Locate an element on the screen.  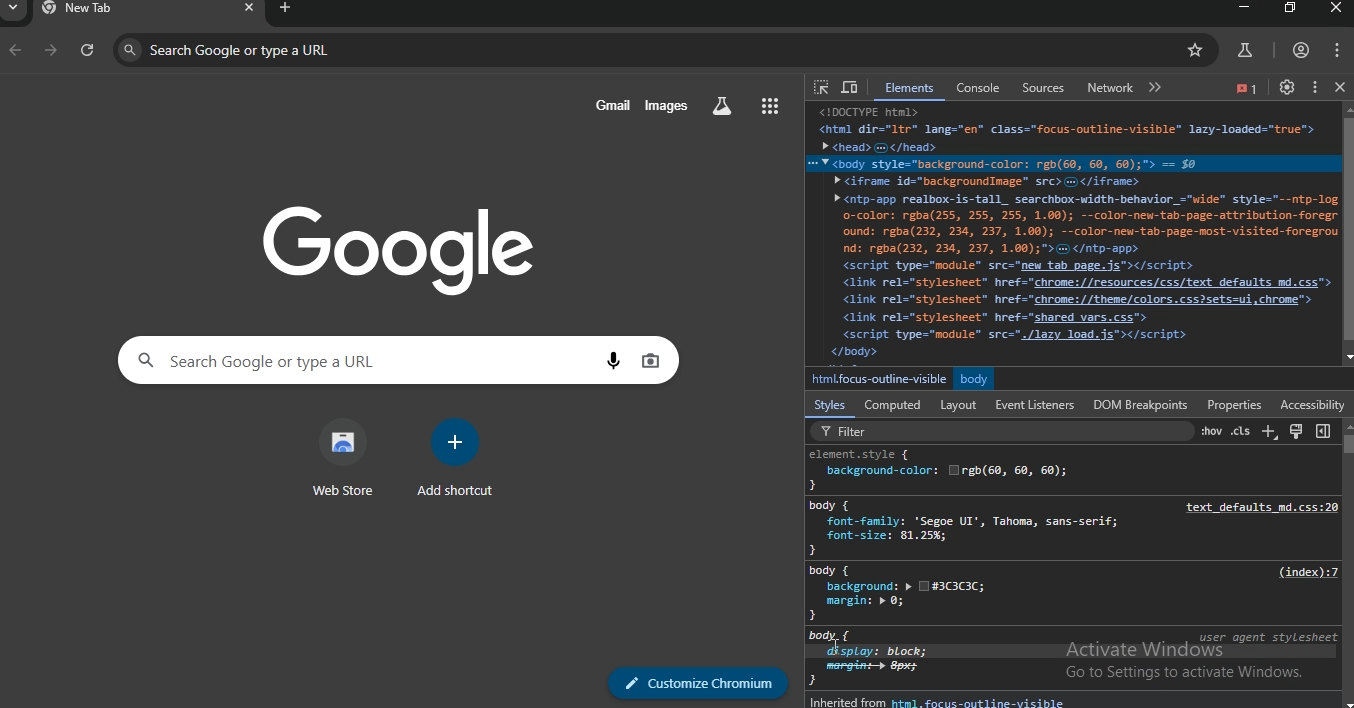
Event Listeners is located at coordinates (1033, 404).